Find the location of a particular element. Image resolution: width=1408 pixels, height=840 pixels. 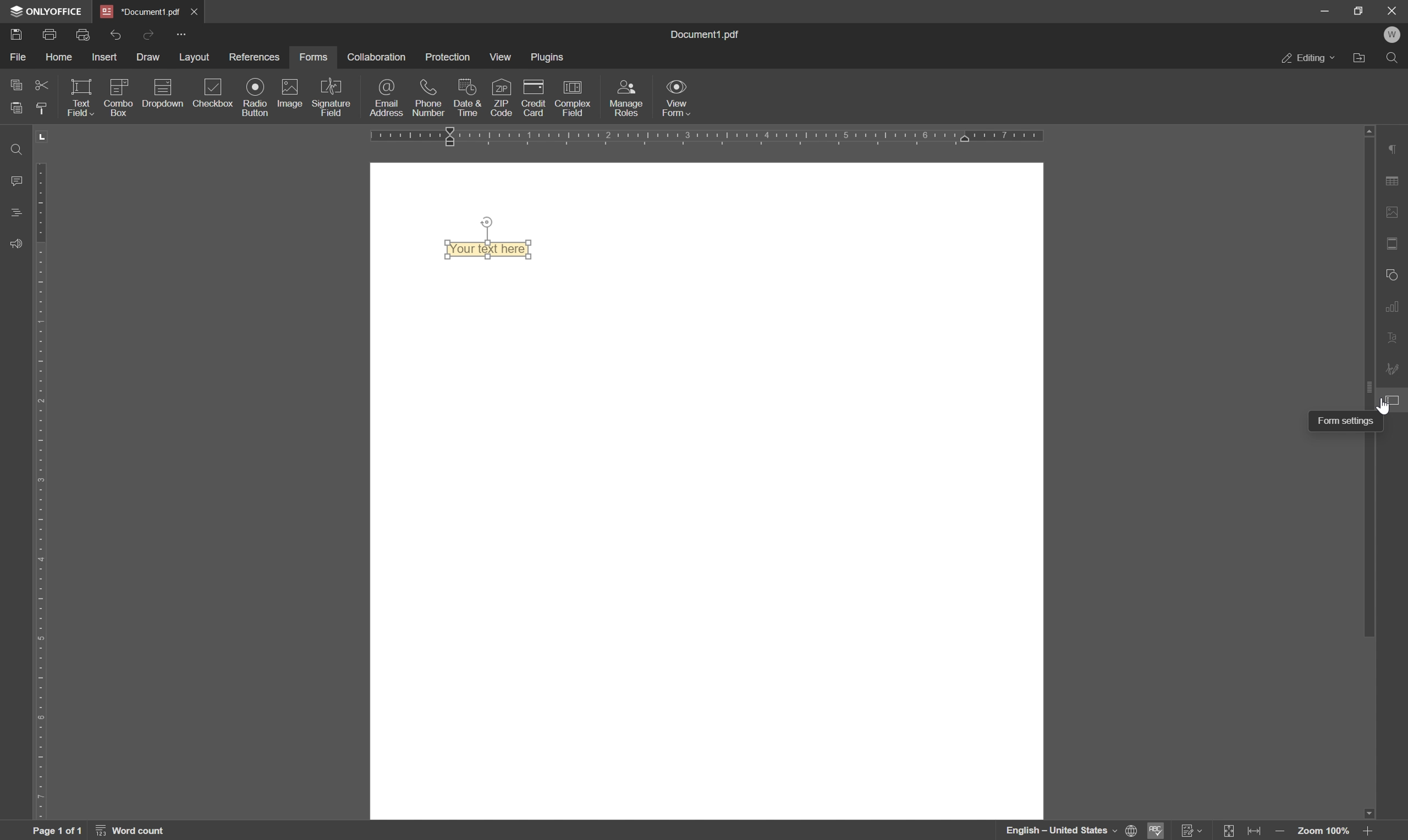

header & footer is located at coordinates (1395, 243).